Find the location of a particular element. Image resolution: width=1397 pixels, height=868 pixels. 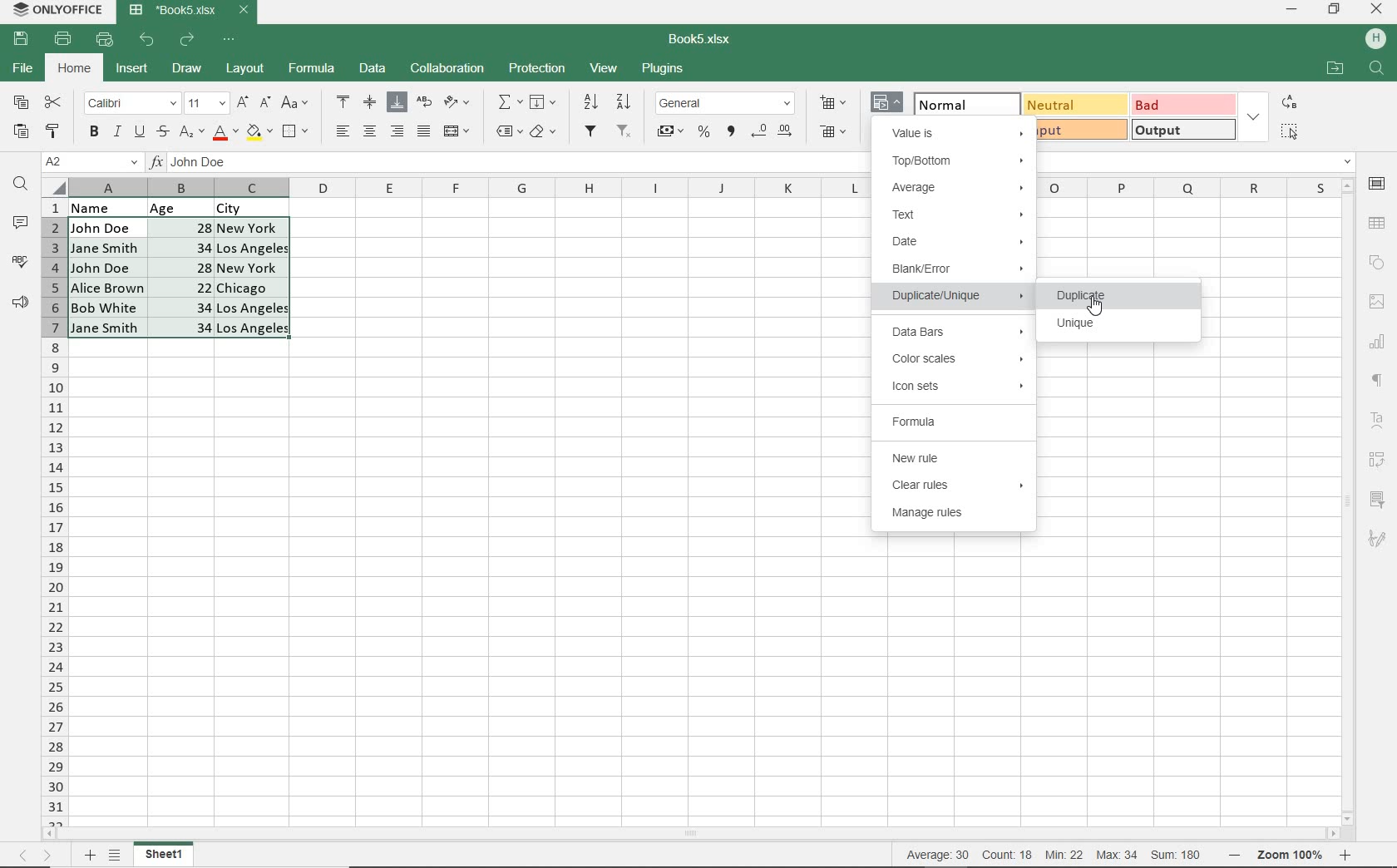

VIEW is located at coordinates (605, 67).